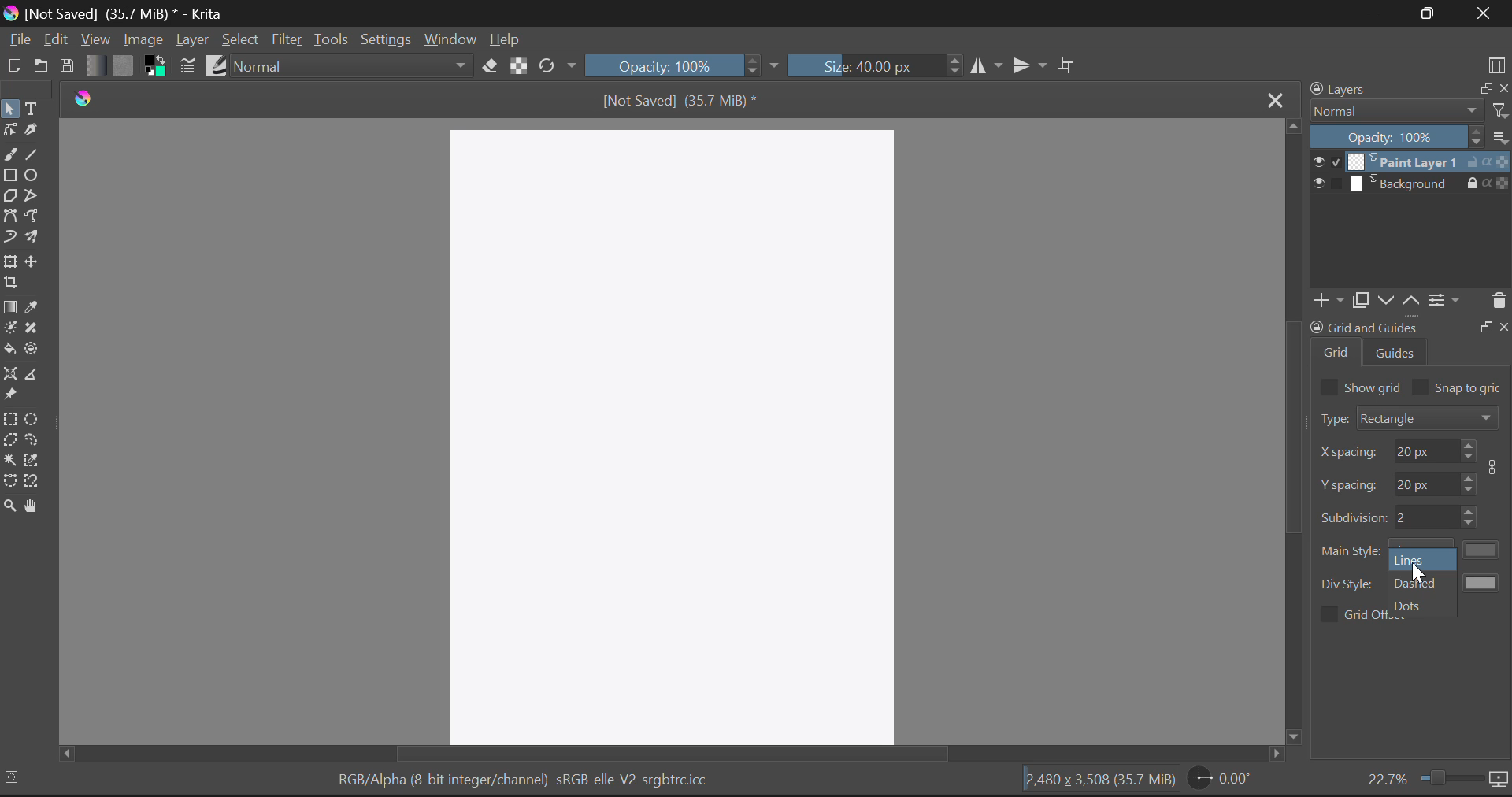  Describe the element at coordinates (287, 41) in the screenshot. I see `Filter` at that location.